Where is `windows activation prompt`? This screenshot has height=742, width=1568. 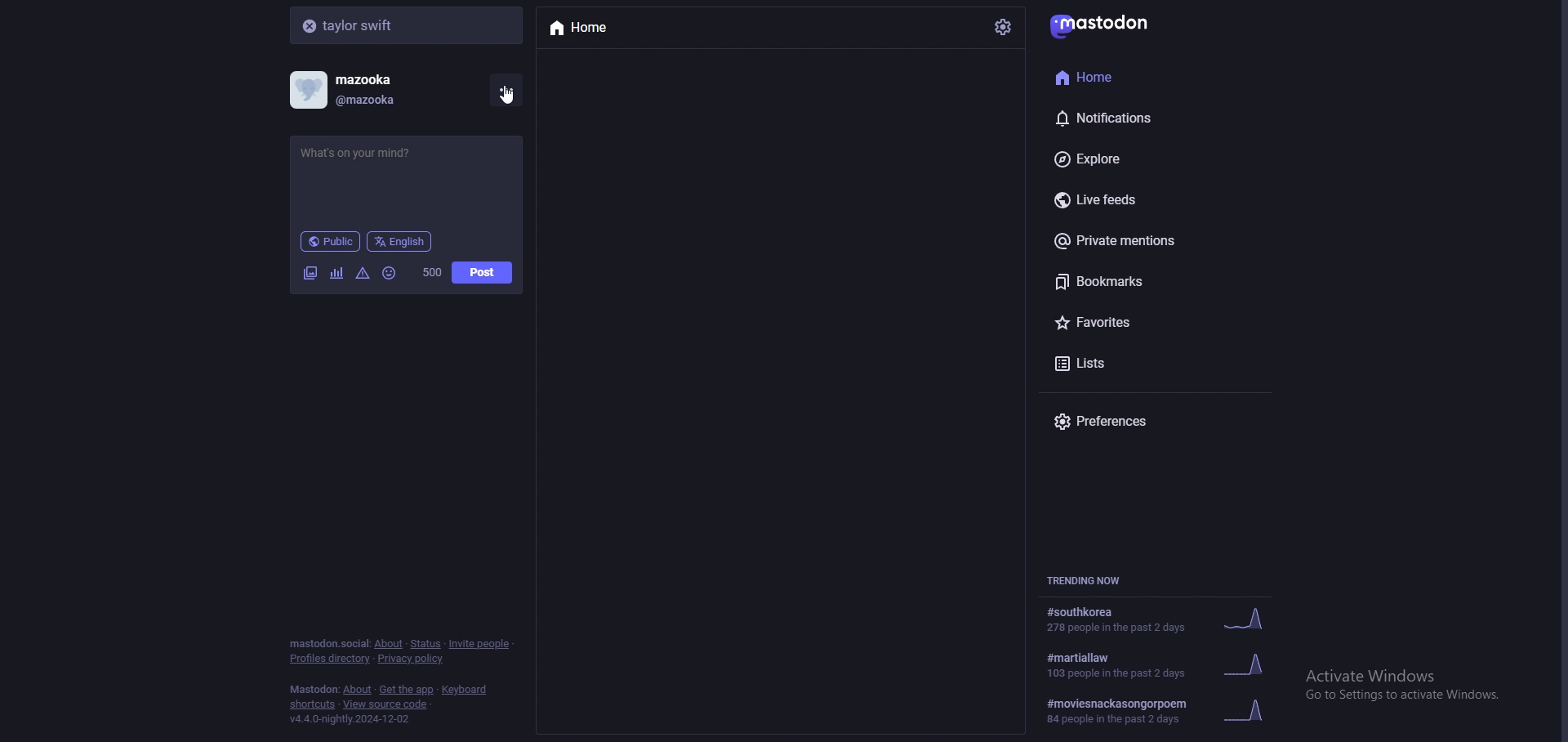 windows activation prompt is located at coordinates (1414, 691).